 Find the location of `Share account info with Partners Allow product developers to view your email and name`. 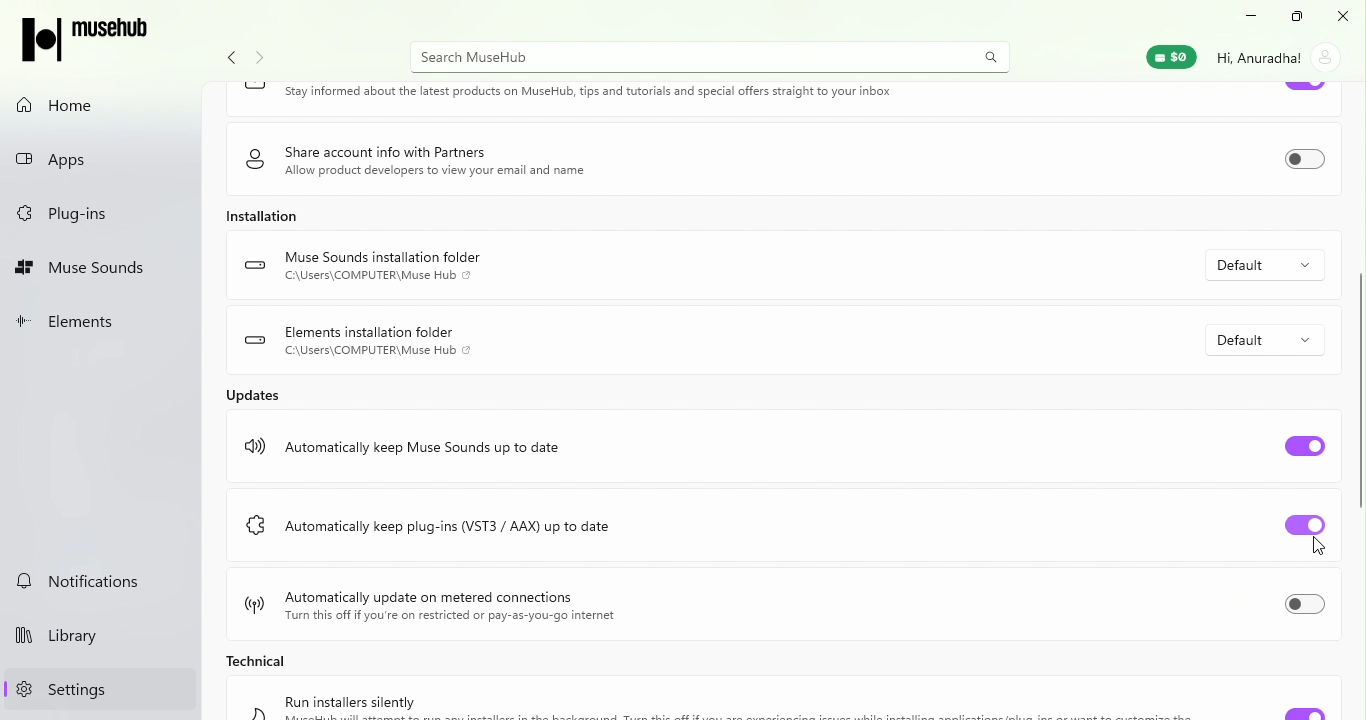

Share account info with Partners Allow product developers to view your email and name is located at coordinates (441, 163).